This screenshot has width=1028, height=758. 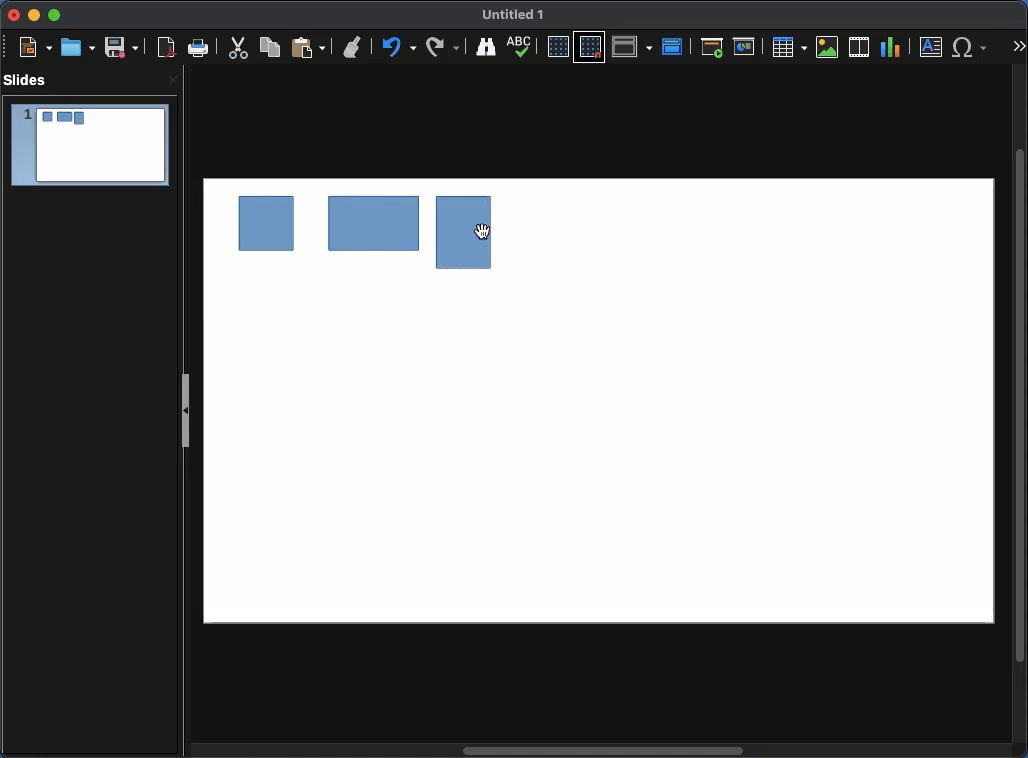 What do you see at coordinates (860, 47) in the screenshot?
I see `Audio or video` at bounding box center [860, 47].